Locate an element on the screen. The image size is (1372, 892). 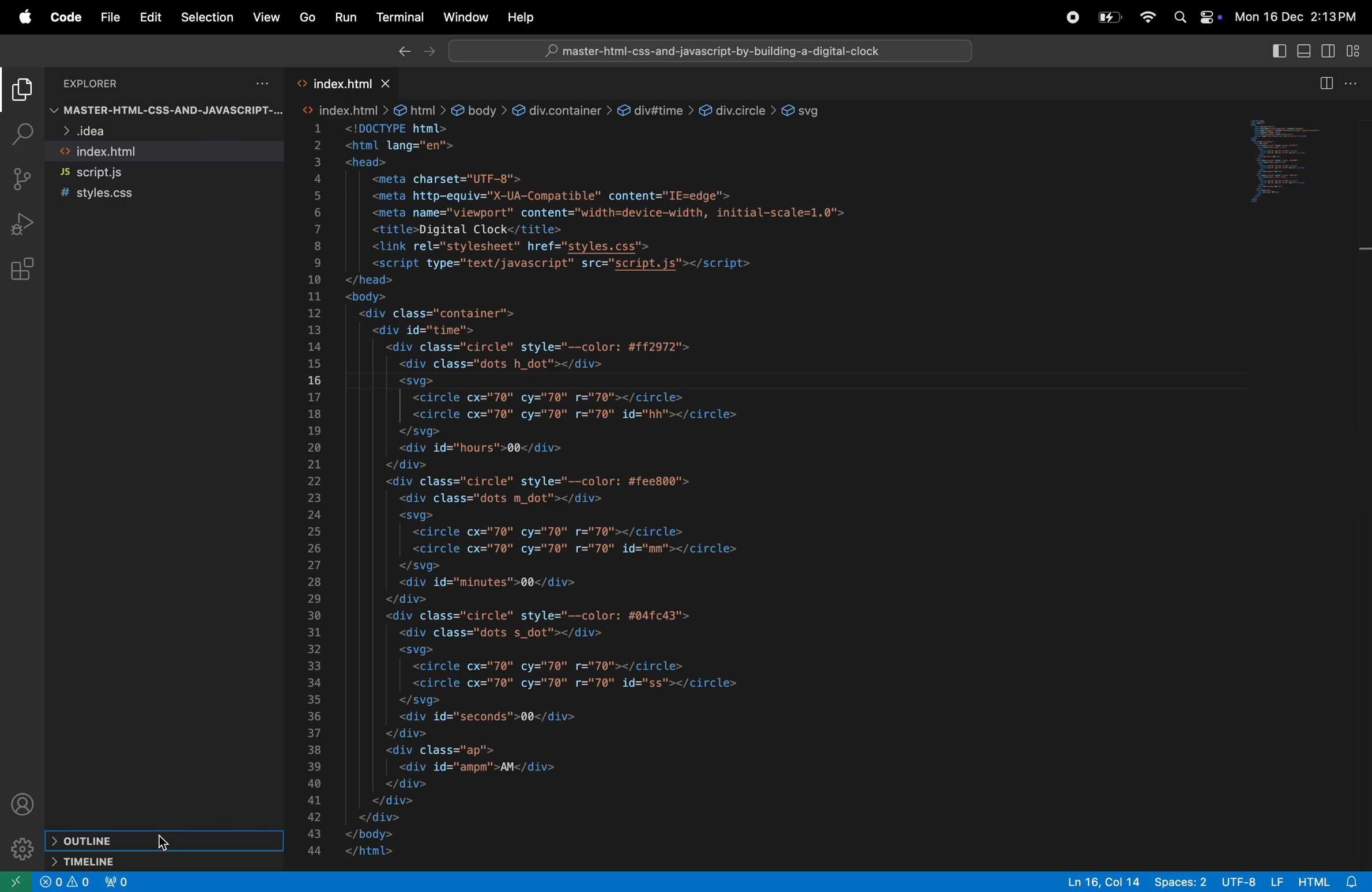
profile is located at coordinates (24, 805).